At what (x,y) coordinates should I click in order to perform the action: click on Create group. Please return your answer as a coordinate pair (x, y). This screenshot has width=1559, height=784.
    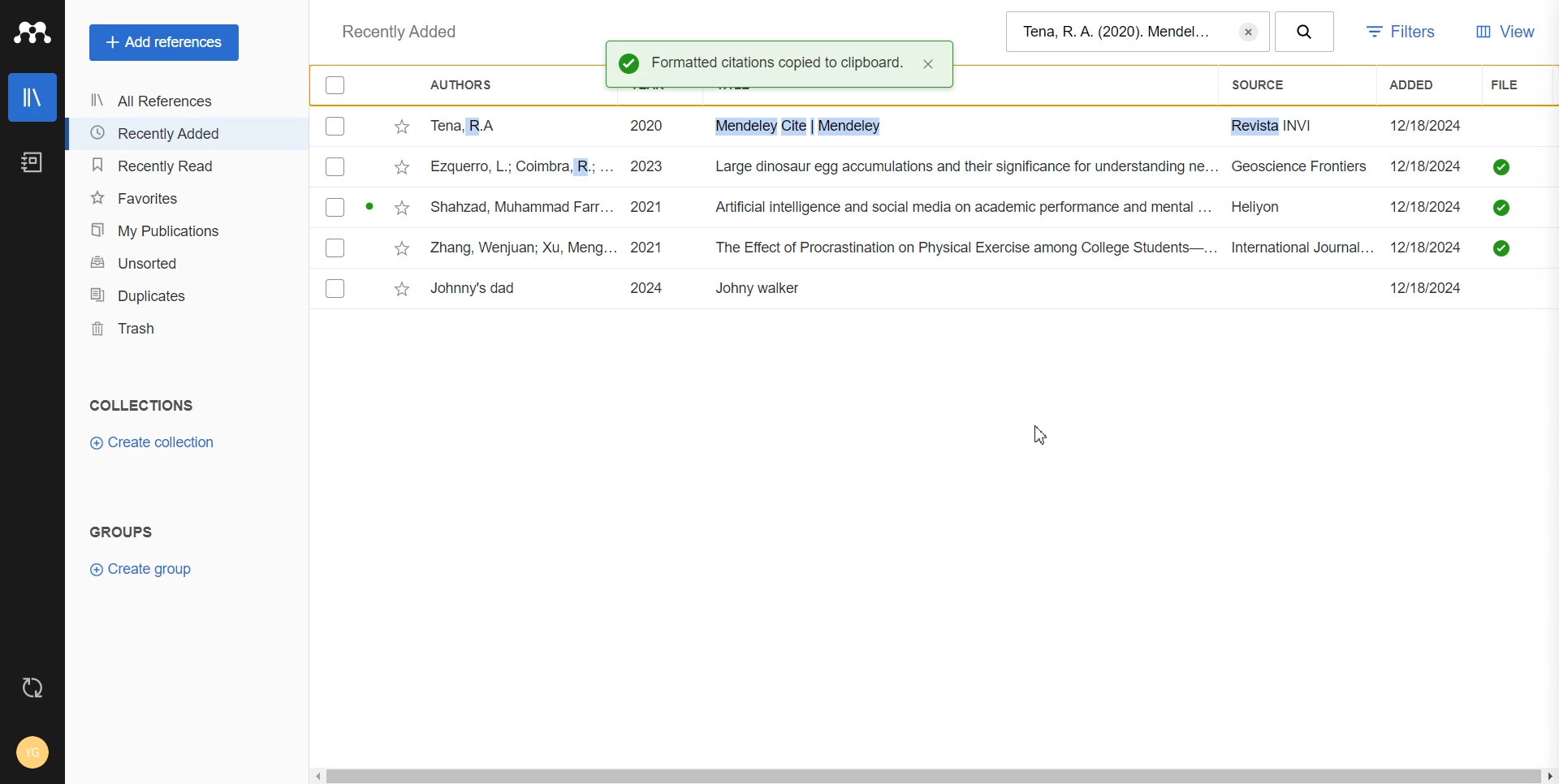
    Looking at the image, I should click on (140, 569).